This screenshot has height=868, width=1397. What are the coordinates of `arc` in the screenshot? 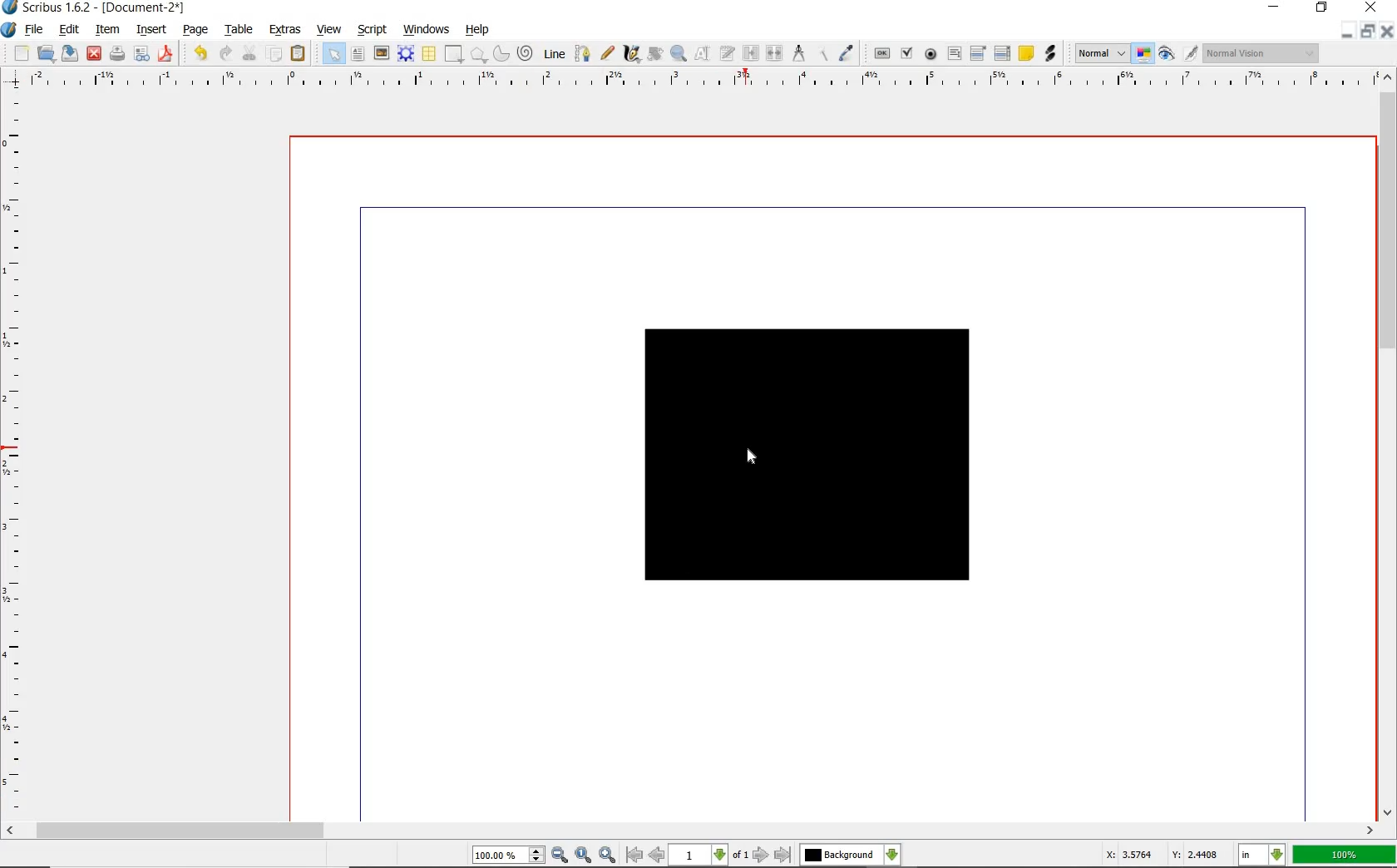 It's located at (501, 55).